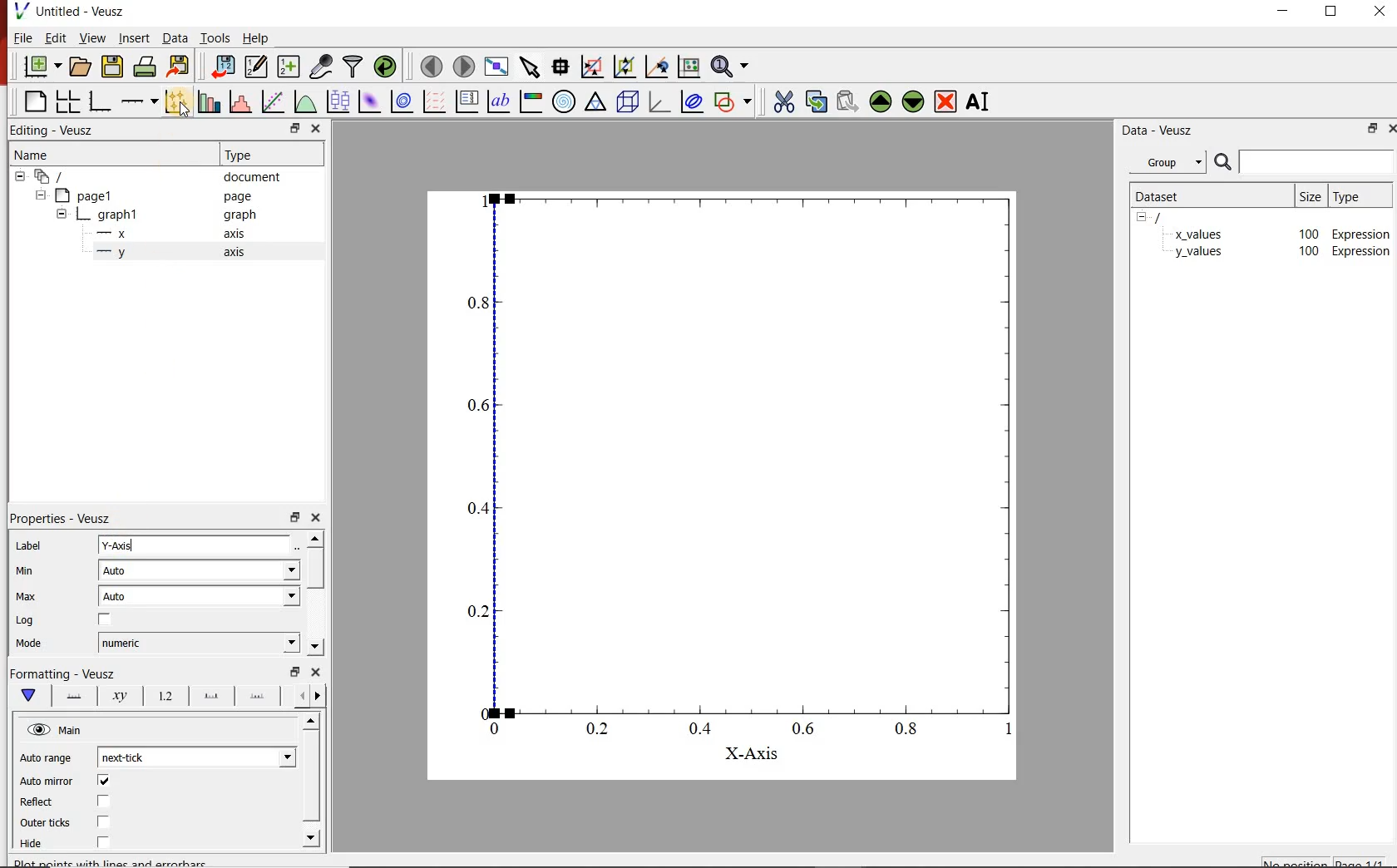 The width and height of the screenshot is (1397, 868). What do you see at coordinates (468, 101) in the screenshot?
I see `plot key` at bounding box center [468, 101].